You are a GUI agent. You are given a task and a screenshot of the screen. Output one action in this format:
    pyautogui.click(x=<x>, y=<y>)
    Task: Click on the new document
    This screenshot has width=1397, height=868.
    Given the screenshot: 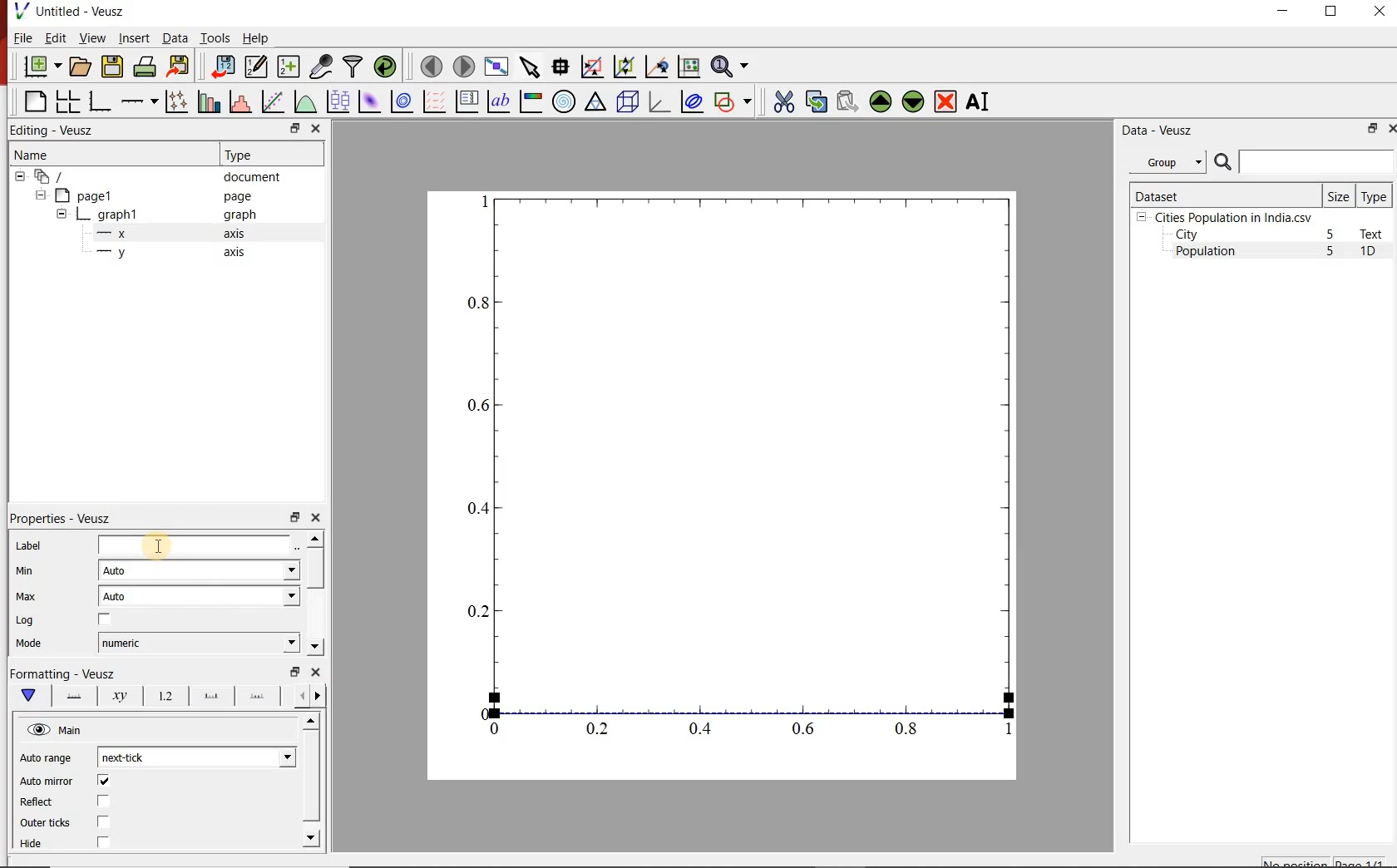 What is the action you would take?
    pyautogui.click(x=39, y=67)
    